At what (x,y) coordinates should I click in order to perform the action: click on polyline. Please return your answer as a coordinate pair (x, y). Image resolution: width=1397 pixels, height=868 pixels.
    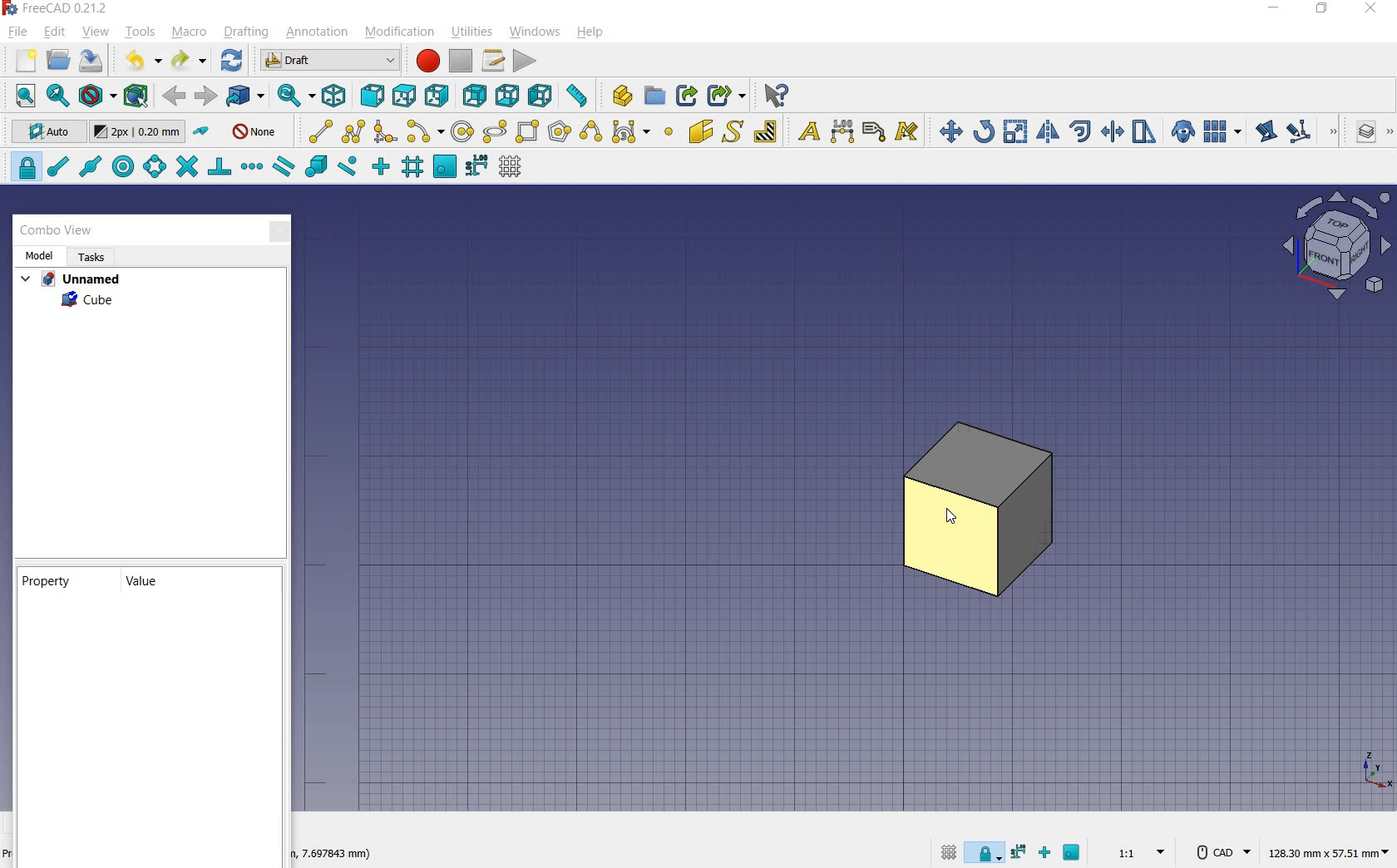
    Looking at the image, I should click on (354, 132).